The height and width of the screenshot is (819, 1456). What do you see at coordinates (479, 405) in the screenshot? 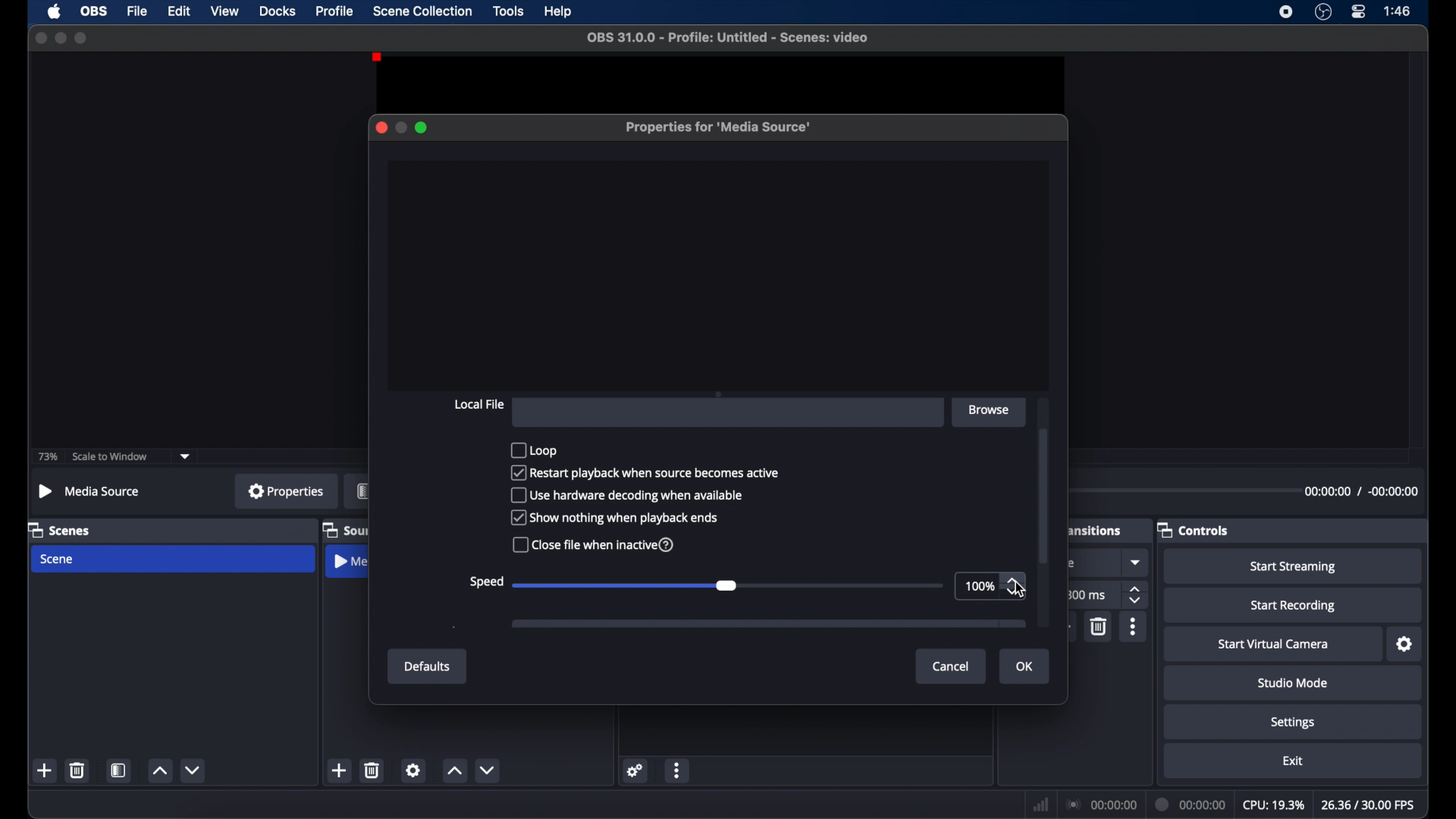
I see `local file` at bounding box center [479, 405].